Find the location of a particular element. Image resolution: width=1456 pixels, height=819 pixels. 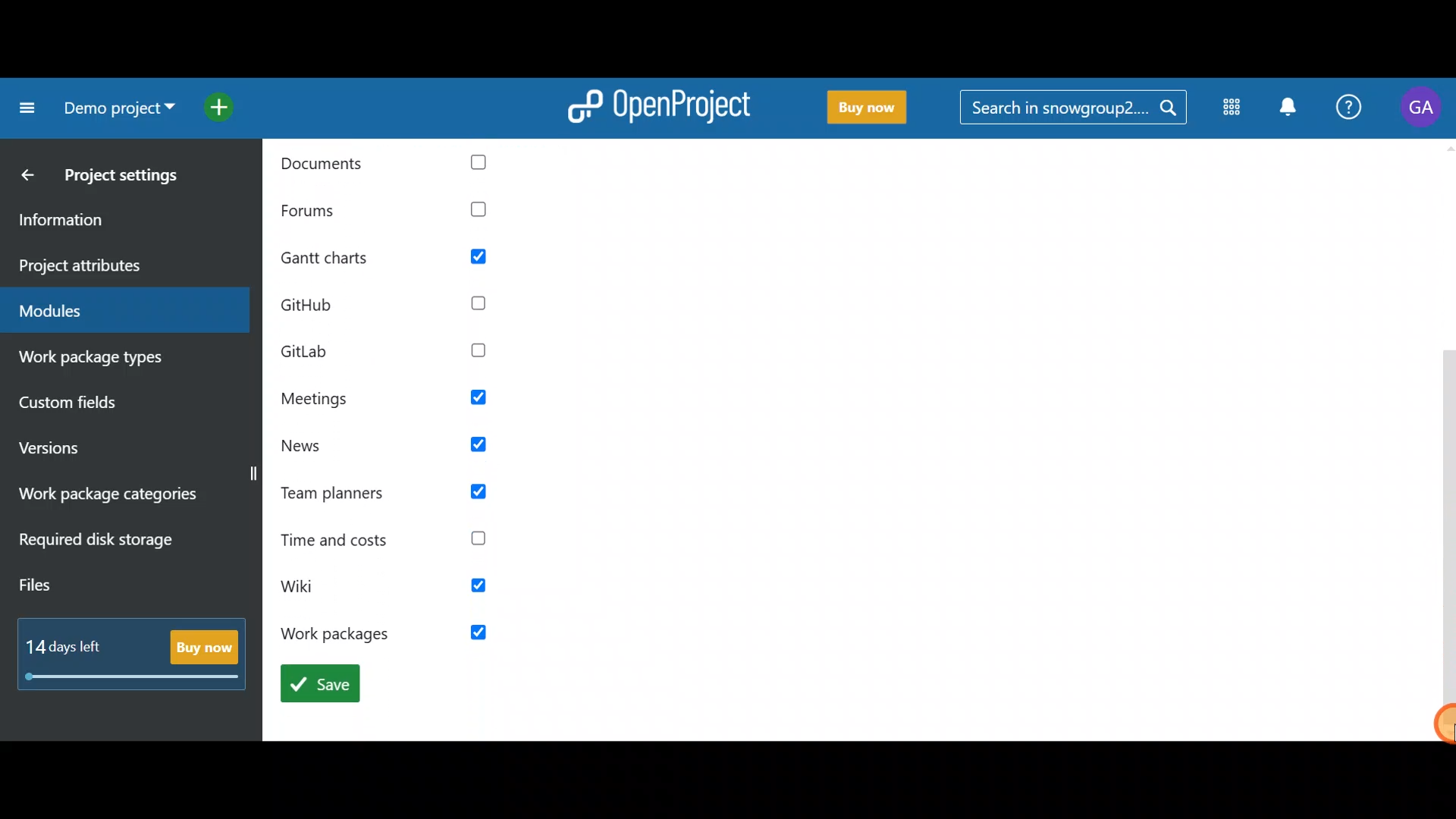

Open quick add menu is located at coordinates (223, 106).